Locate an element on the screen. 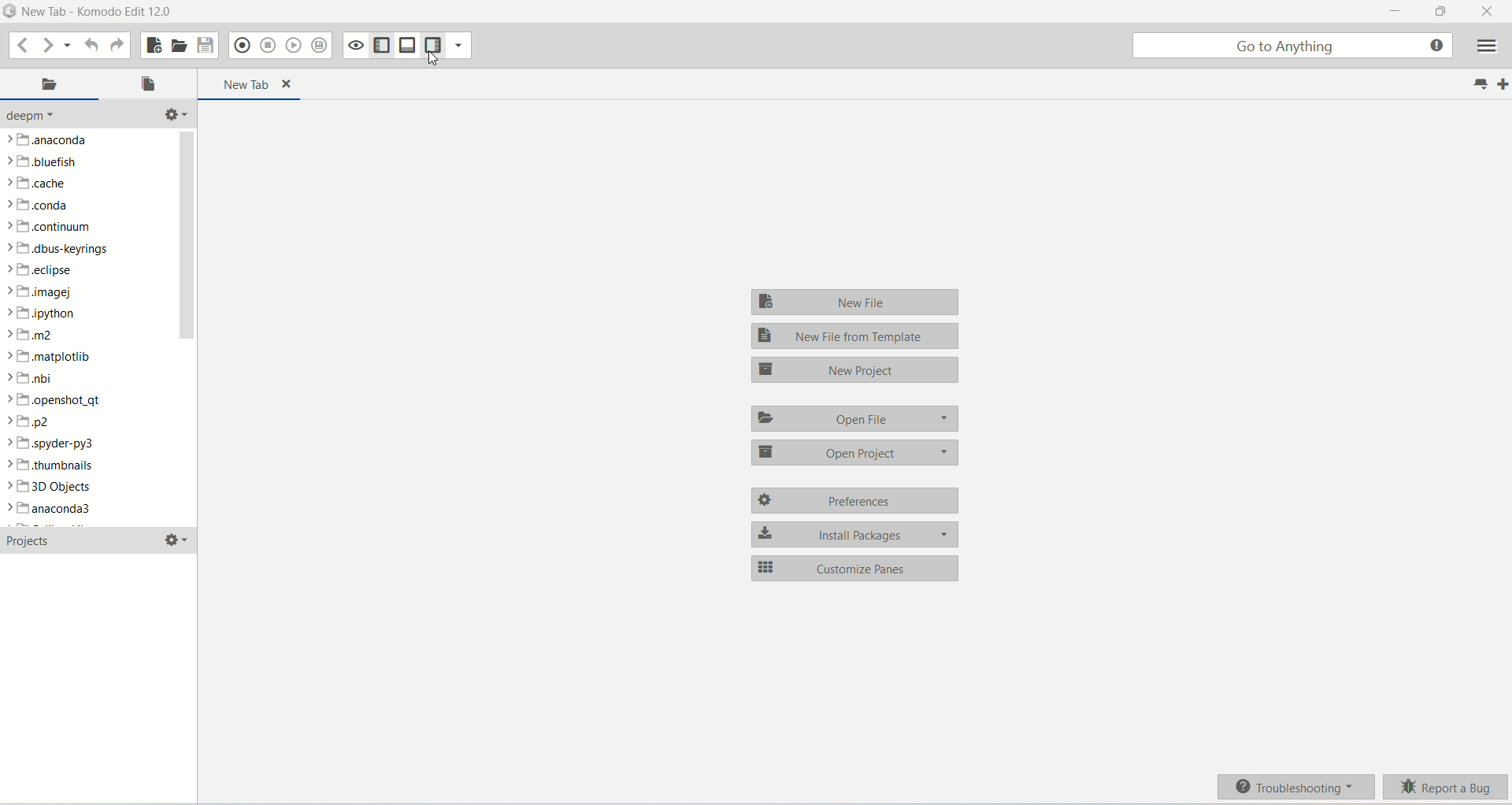 This screenshot has width=1512, height=805. list tabs is located at coordinates (1476, 83).